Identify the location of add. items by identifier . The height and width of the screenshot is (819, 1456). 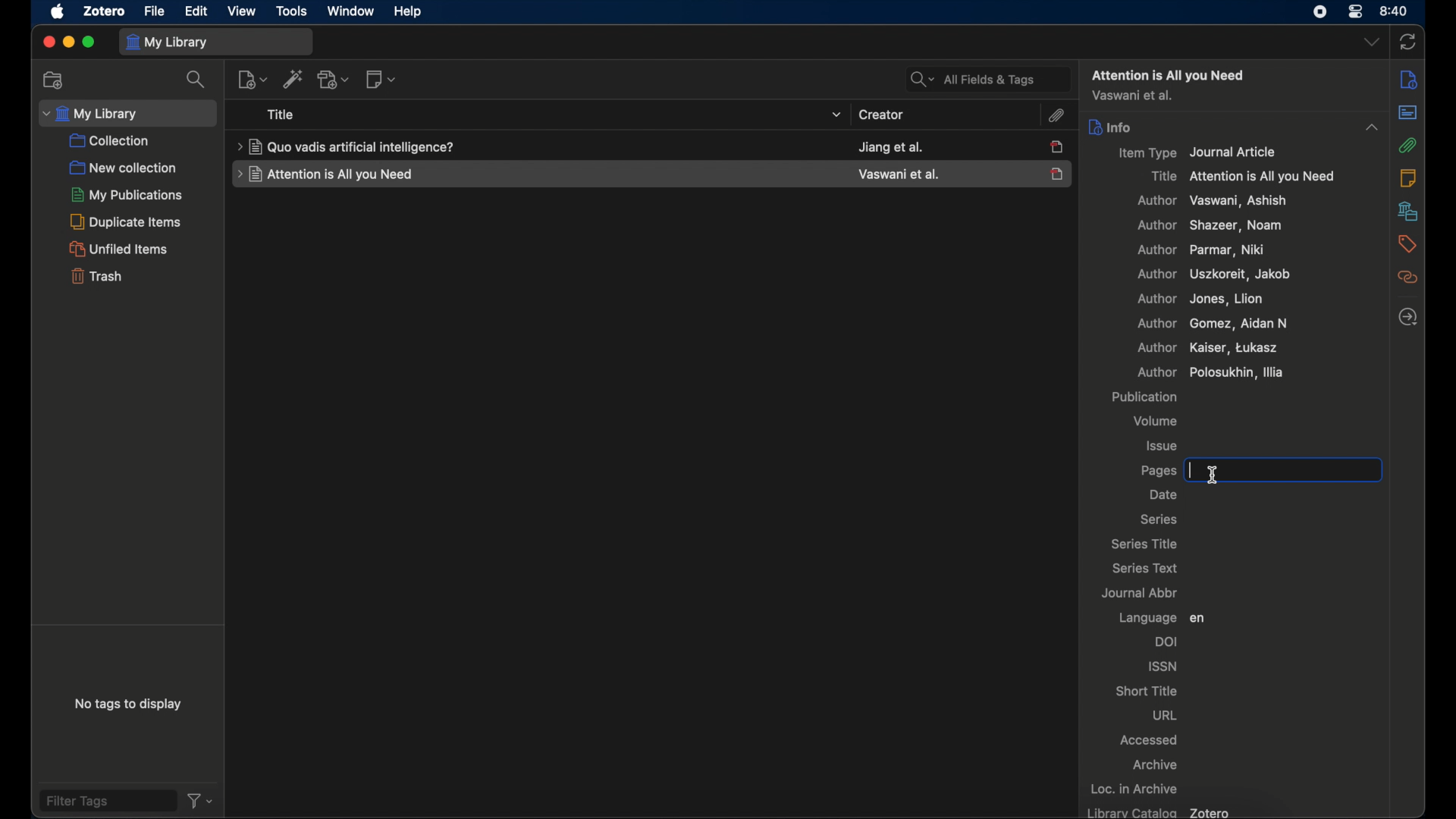
(293, 80).